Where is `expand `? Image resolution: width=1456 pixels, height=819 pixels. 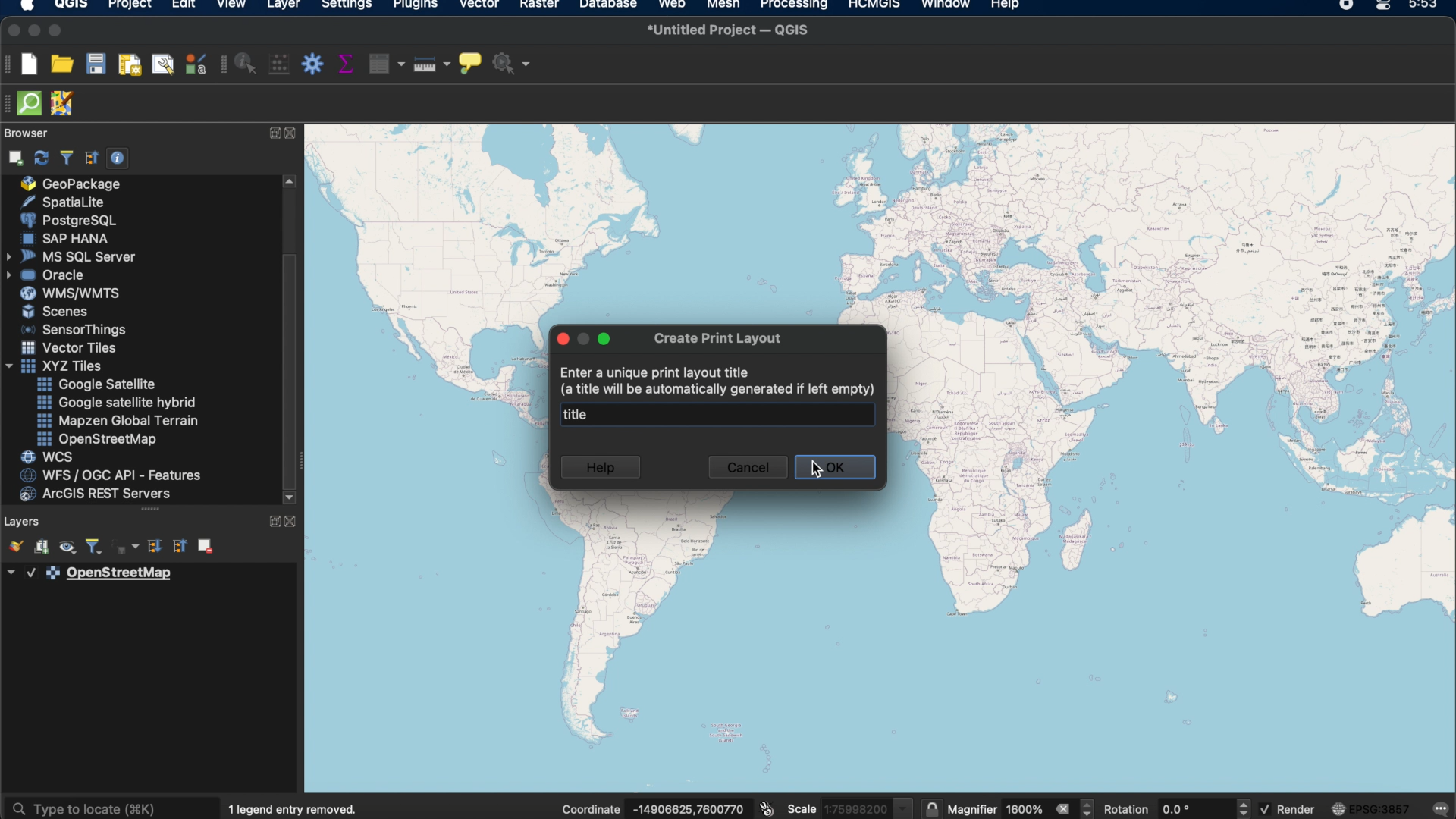 expand  is located at coordinates (272, 520).